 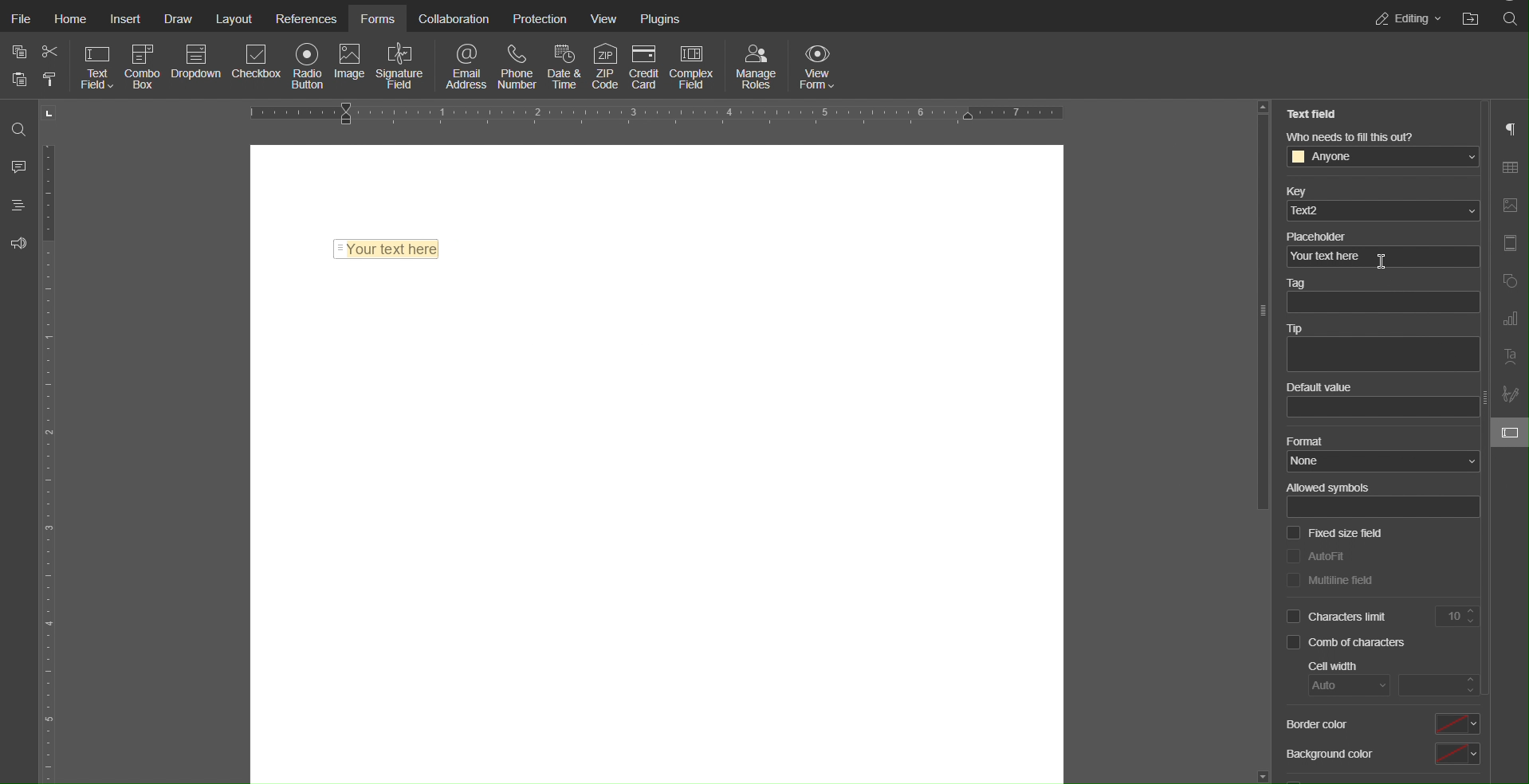 What do you see at coordinates (98, 66) in the screenshot?
I see `Text Field` at bounding box center [98, 66].